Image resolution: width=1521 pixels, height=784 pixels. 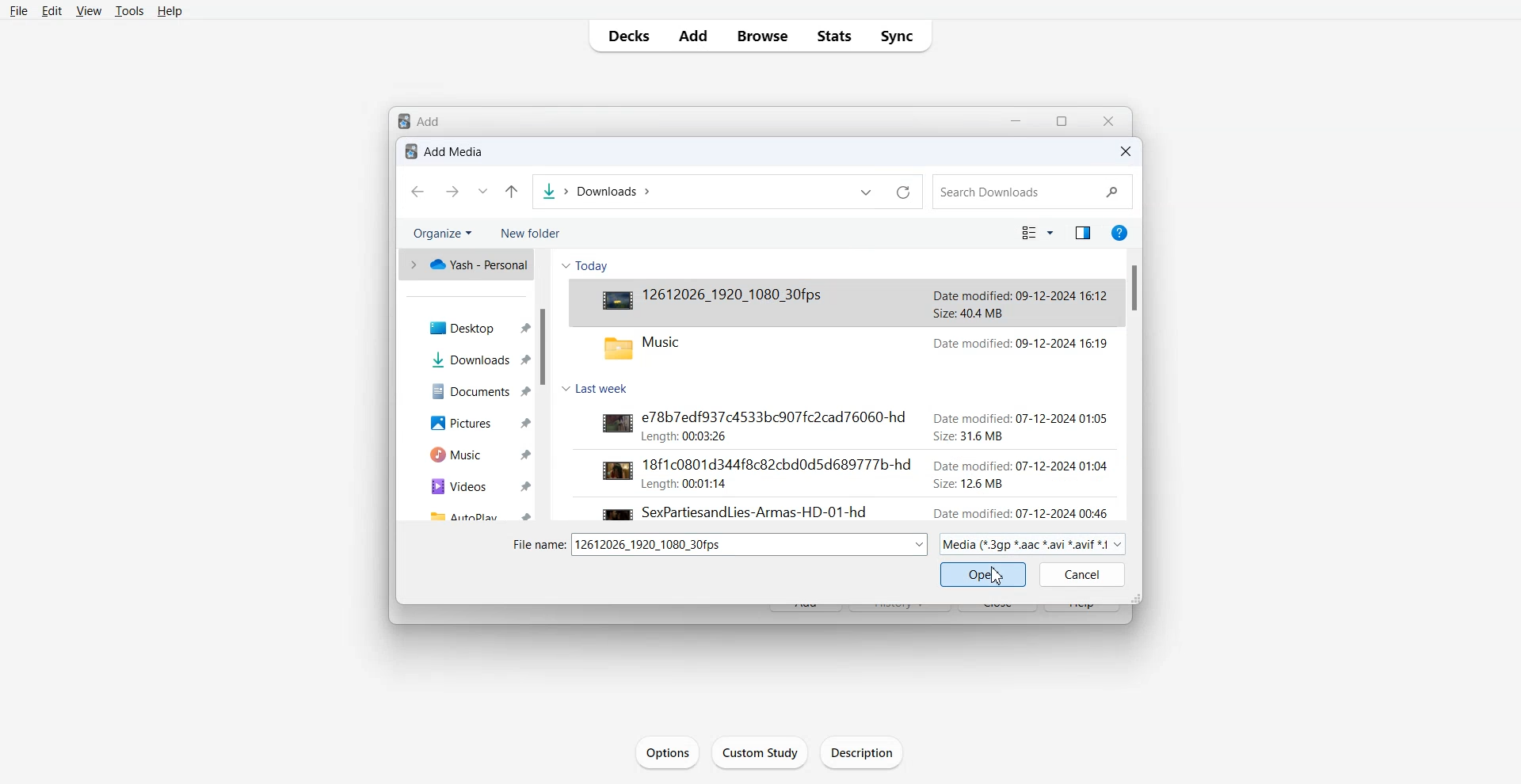 I want to click on One drive, so click(x=464, y=265).